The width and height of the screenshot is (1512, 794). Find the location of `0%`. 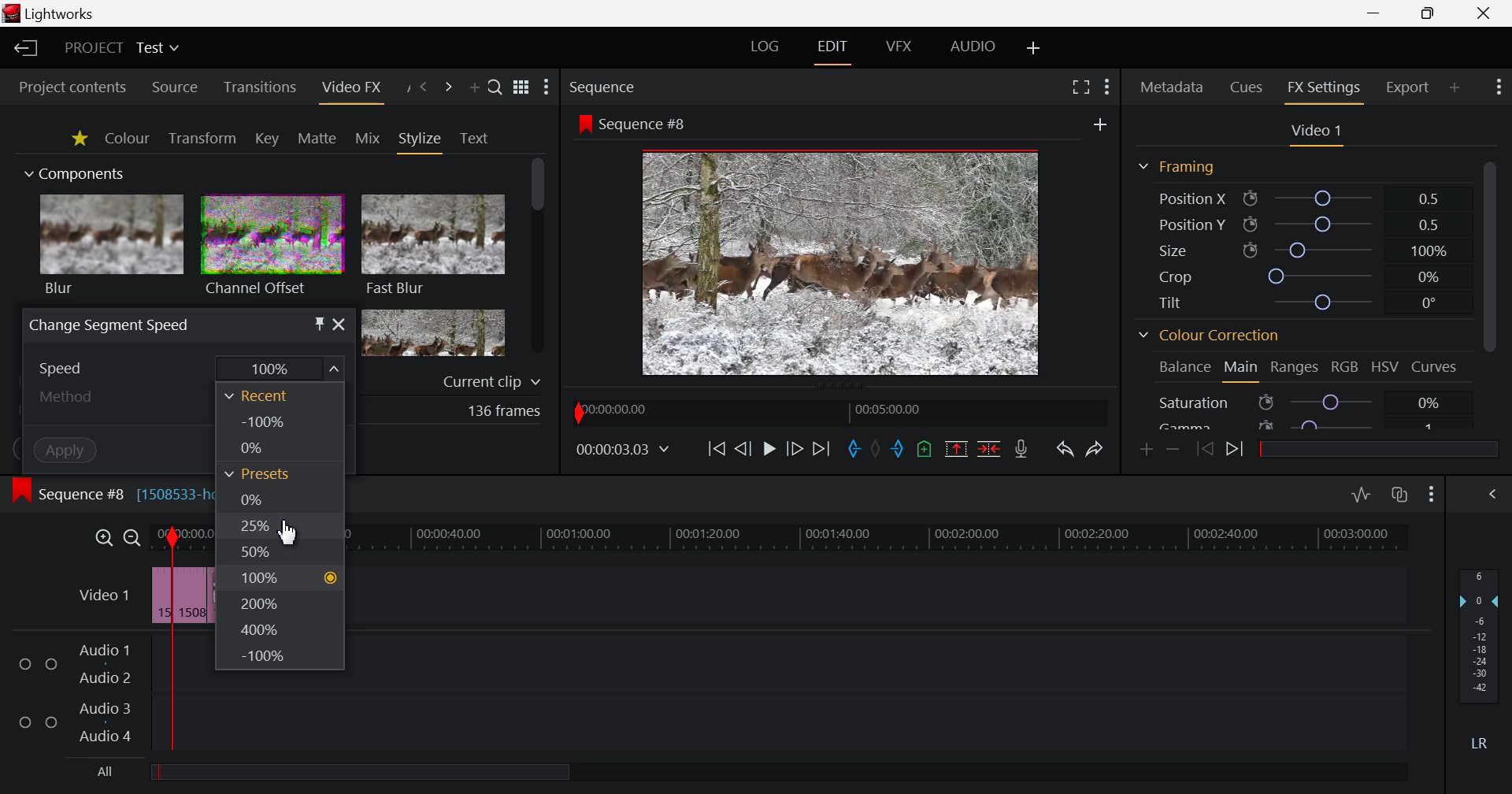

0% is located at coordinates (284, 452).